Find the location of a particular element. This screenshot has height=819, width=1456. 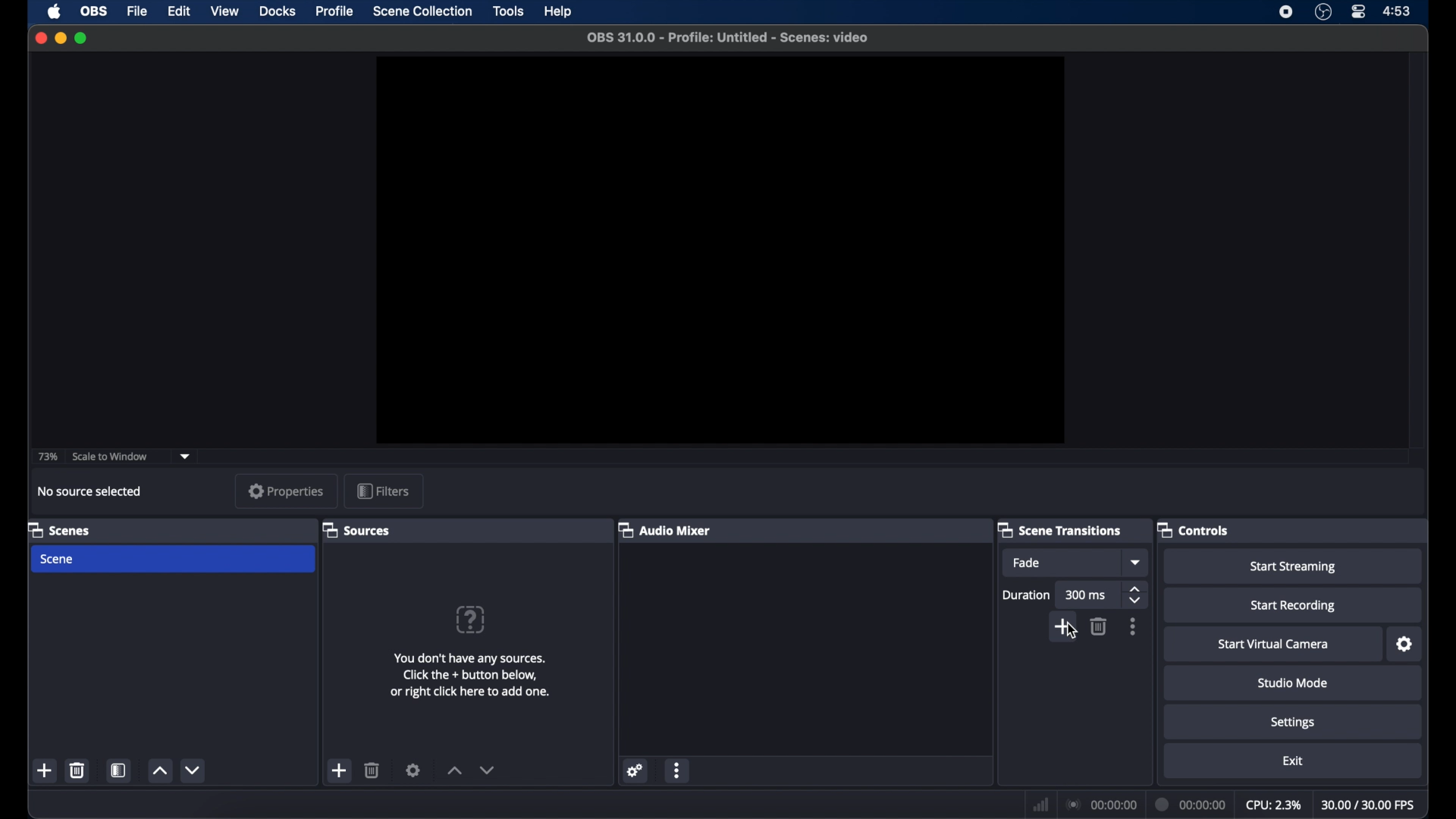

connection is located at coordinates (1100, 804).